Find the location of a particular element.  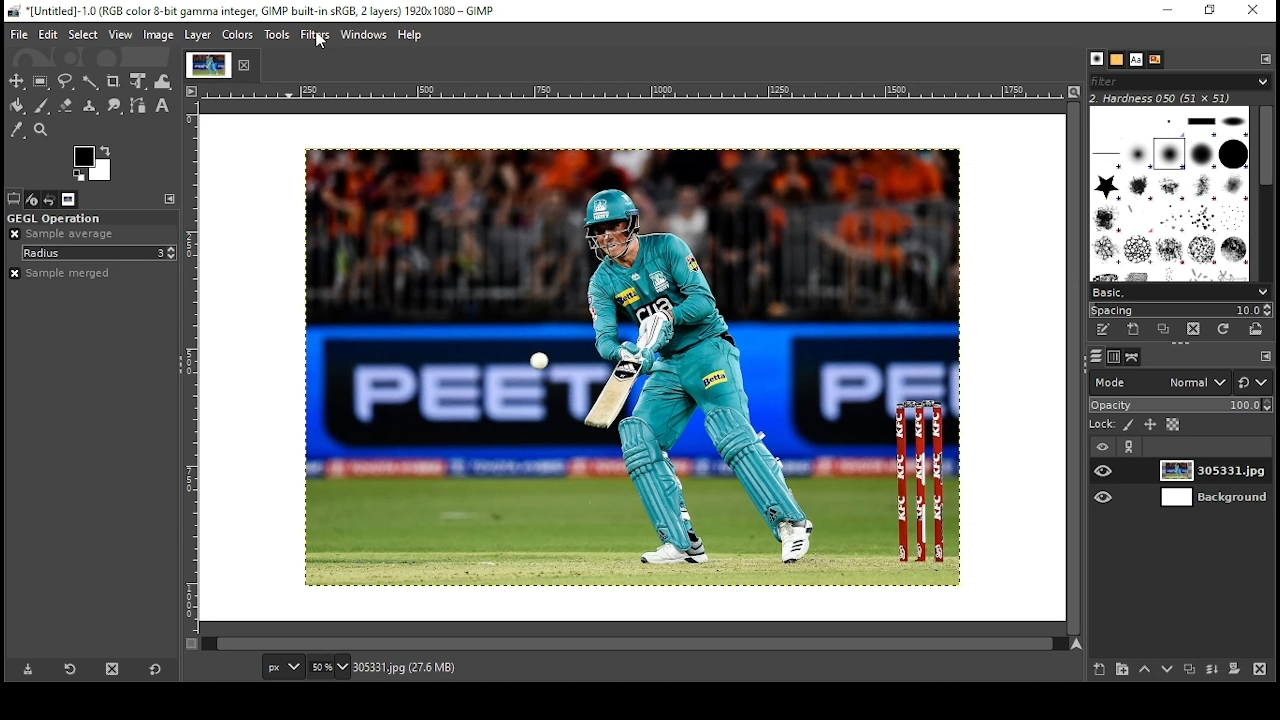

lock pixels is located at coordinates (1128, 425).